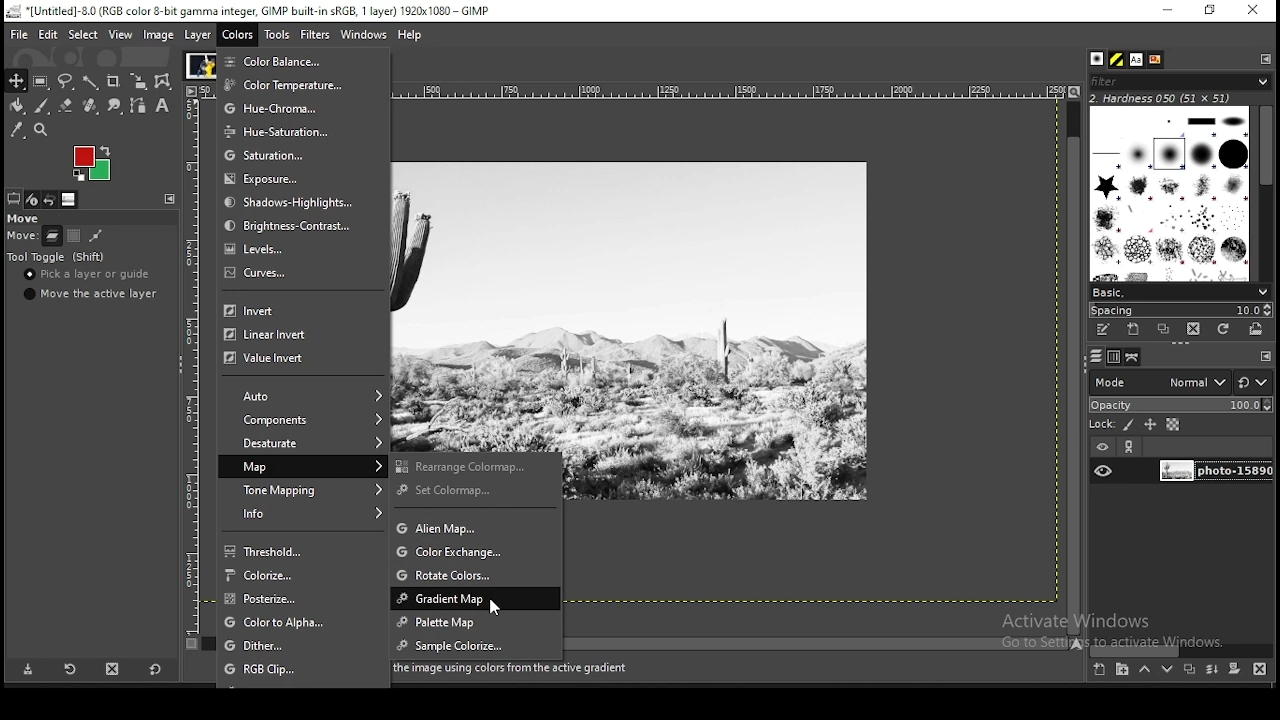  Describe the element at coordinates (115, 104) in the screenshot. I see `smudge tool` at that location.